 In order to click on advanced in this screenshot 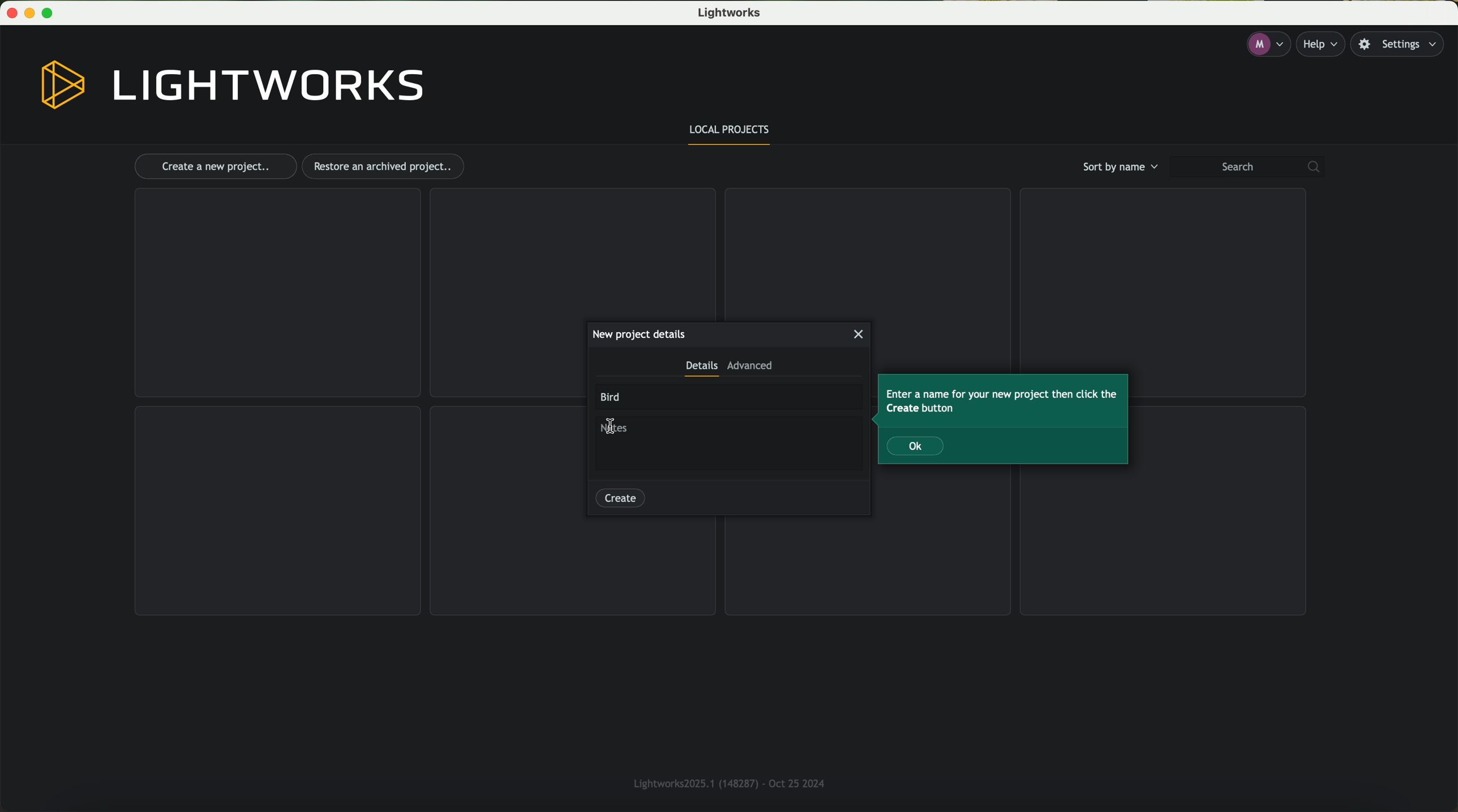, I will do `click(750, 368)`.